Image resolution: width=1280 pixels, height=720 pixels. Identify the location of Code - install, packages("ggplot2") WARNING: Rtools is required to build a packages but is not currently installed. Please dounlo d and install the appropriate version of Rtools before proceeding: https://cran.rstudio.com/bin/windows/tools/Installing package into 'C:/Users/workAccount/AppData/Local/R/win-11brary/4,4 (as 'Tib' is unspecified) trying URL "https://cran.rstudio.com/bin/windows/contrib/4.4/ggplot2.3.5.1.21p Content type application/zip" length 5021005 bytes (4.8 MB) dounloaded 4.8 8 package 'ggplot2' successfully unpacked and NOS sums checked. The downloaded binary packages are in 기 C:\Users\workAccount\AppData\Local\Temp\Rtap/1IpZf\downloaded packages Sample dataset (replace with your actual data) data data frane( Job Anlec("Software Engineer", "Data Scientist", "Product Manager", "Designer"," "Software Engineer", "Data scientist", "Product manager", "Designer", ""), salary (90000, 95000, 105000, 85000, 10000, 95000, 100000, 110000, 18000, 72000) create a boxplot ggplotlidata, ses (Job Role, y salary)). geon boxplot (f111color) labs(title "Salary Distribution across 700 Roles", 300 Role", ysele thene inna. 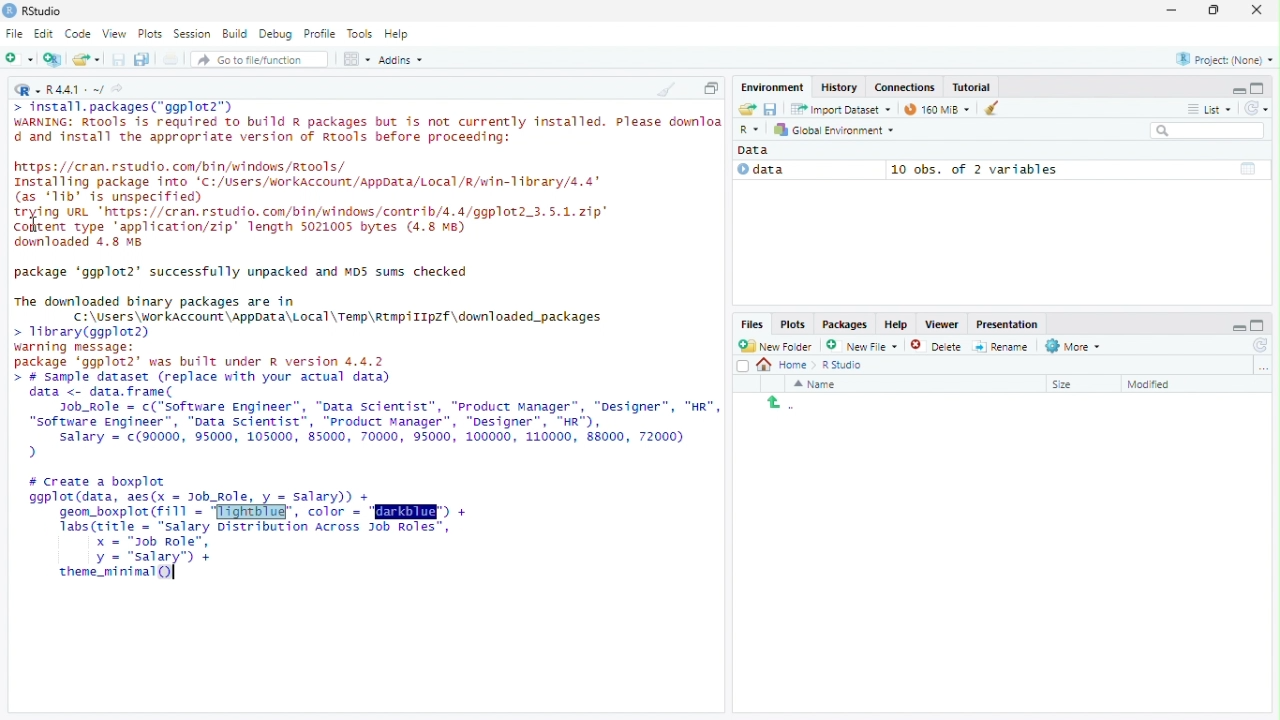
(365, 346).